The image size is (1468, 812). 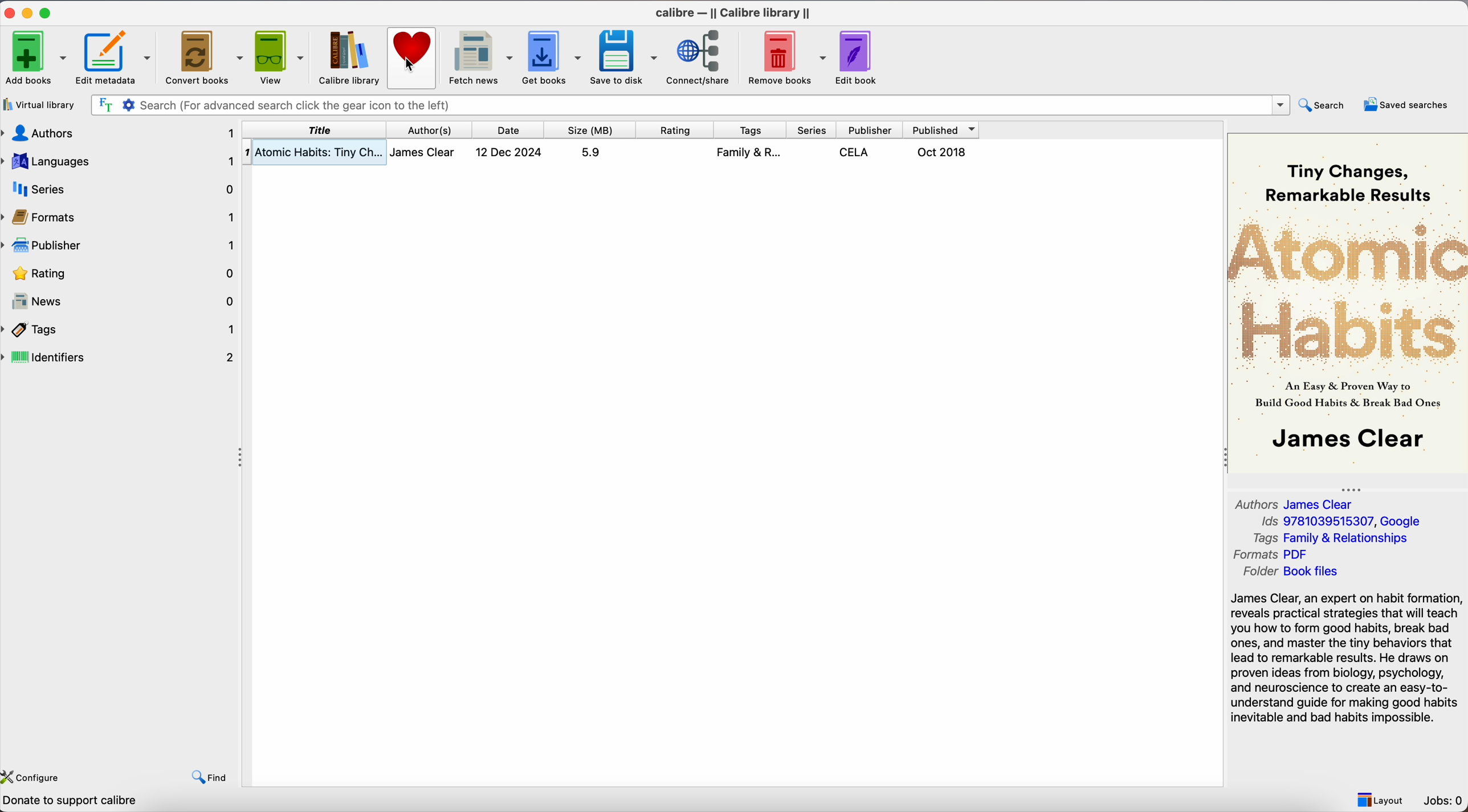 I want to click on remove books, so click(x=784, y=58).